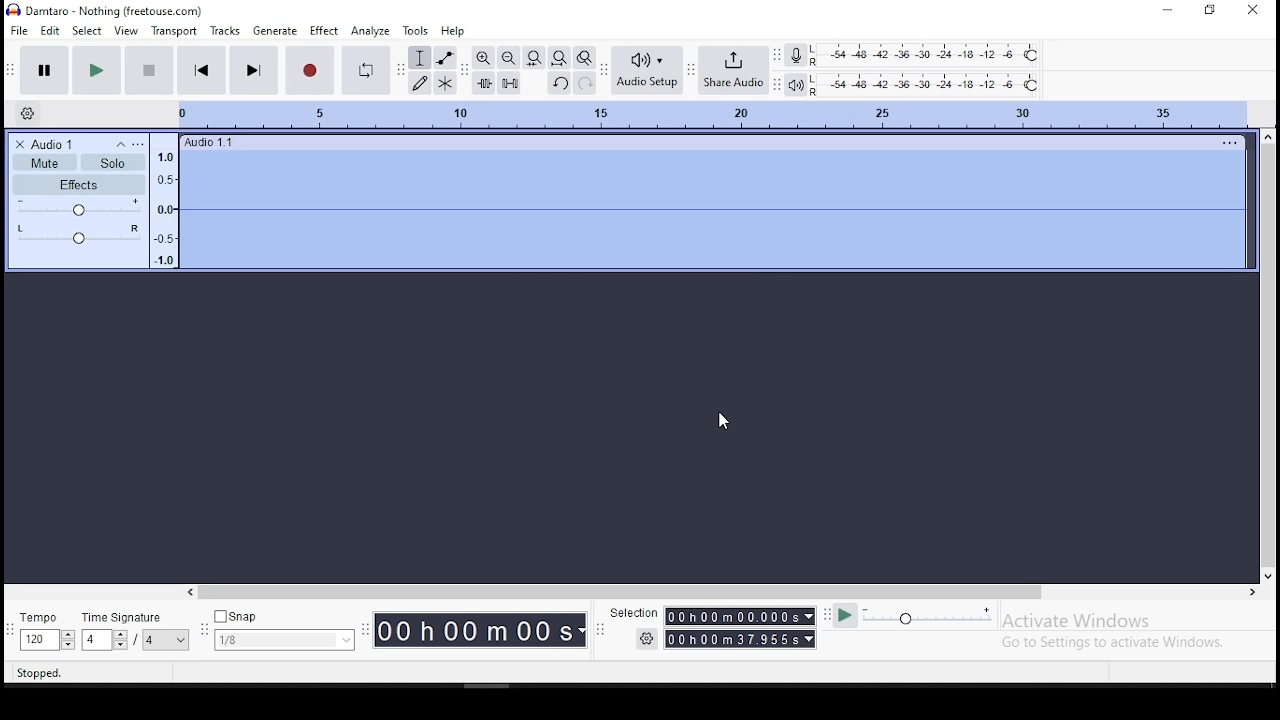 This screenshot has width=1280, height=720. I want to click on tempo, so click(37, 631).